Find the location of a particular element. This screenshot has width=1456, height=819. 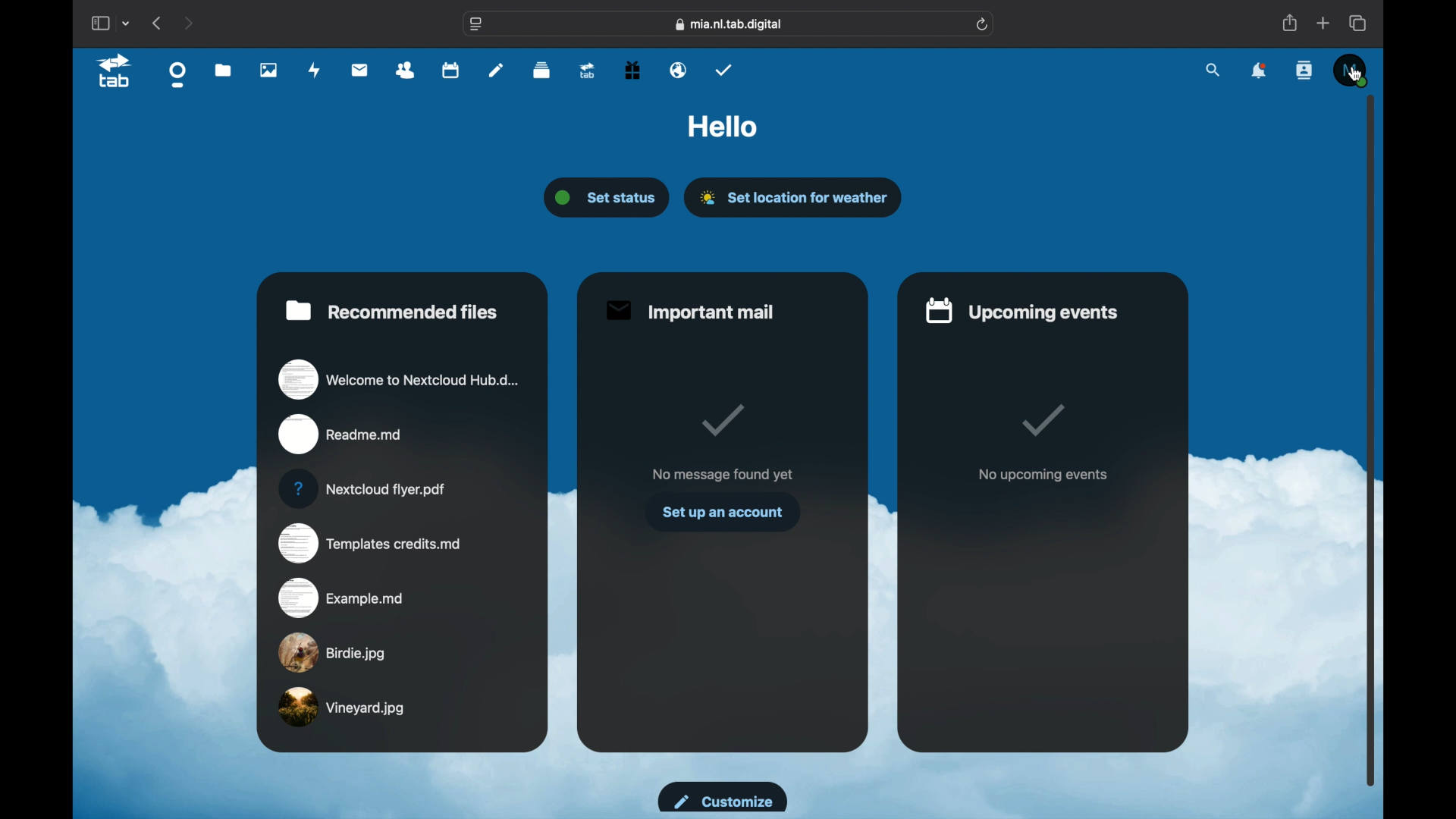

calendar is located at coordinates (450, 71).